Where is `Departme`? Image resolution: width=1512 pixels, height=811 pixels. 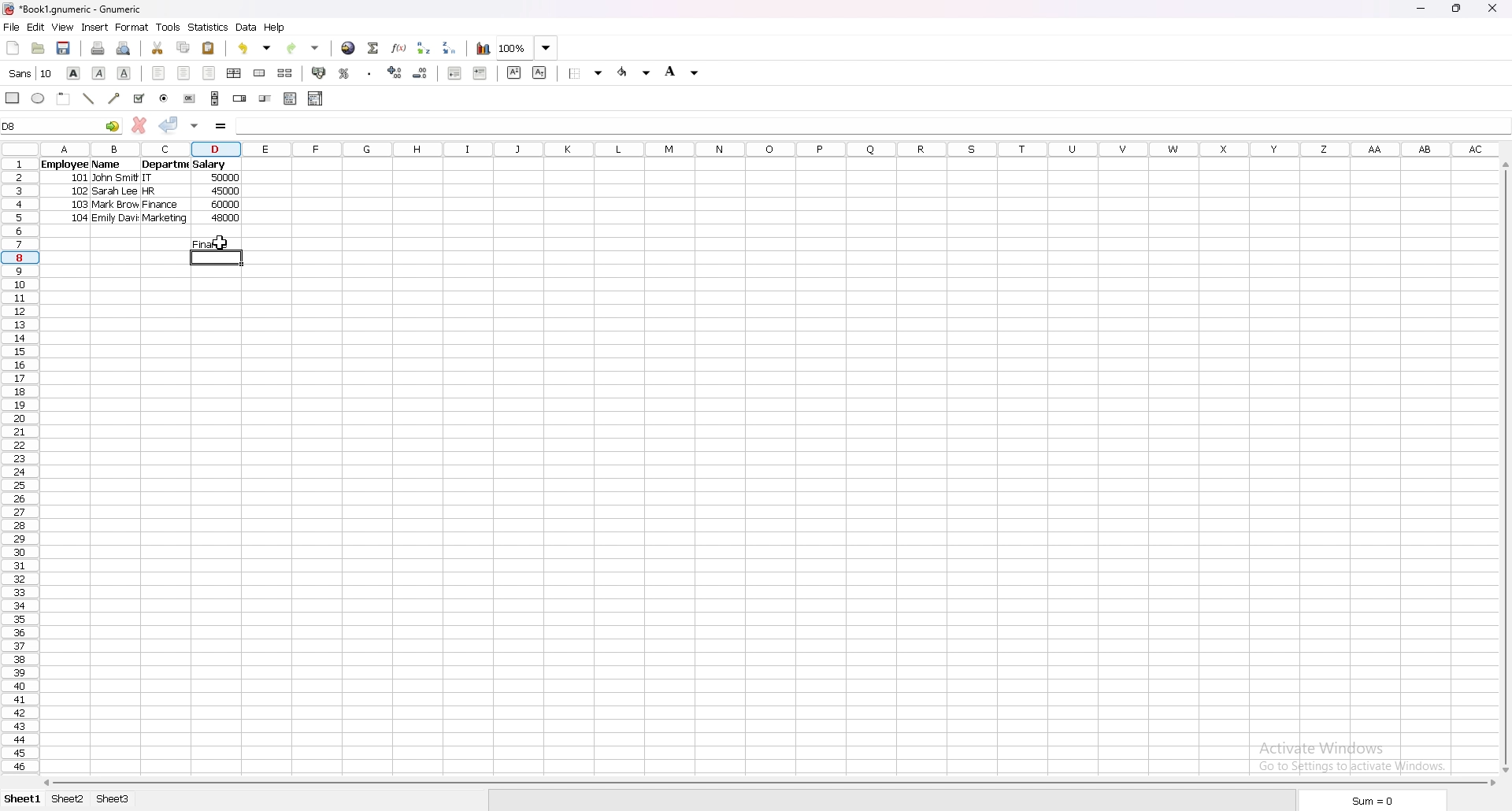
Departme is located at coordinates (165, 165).